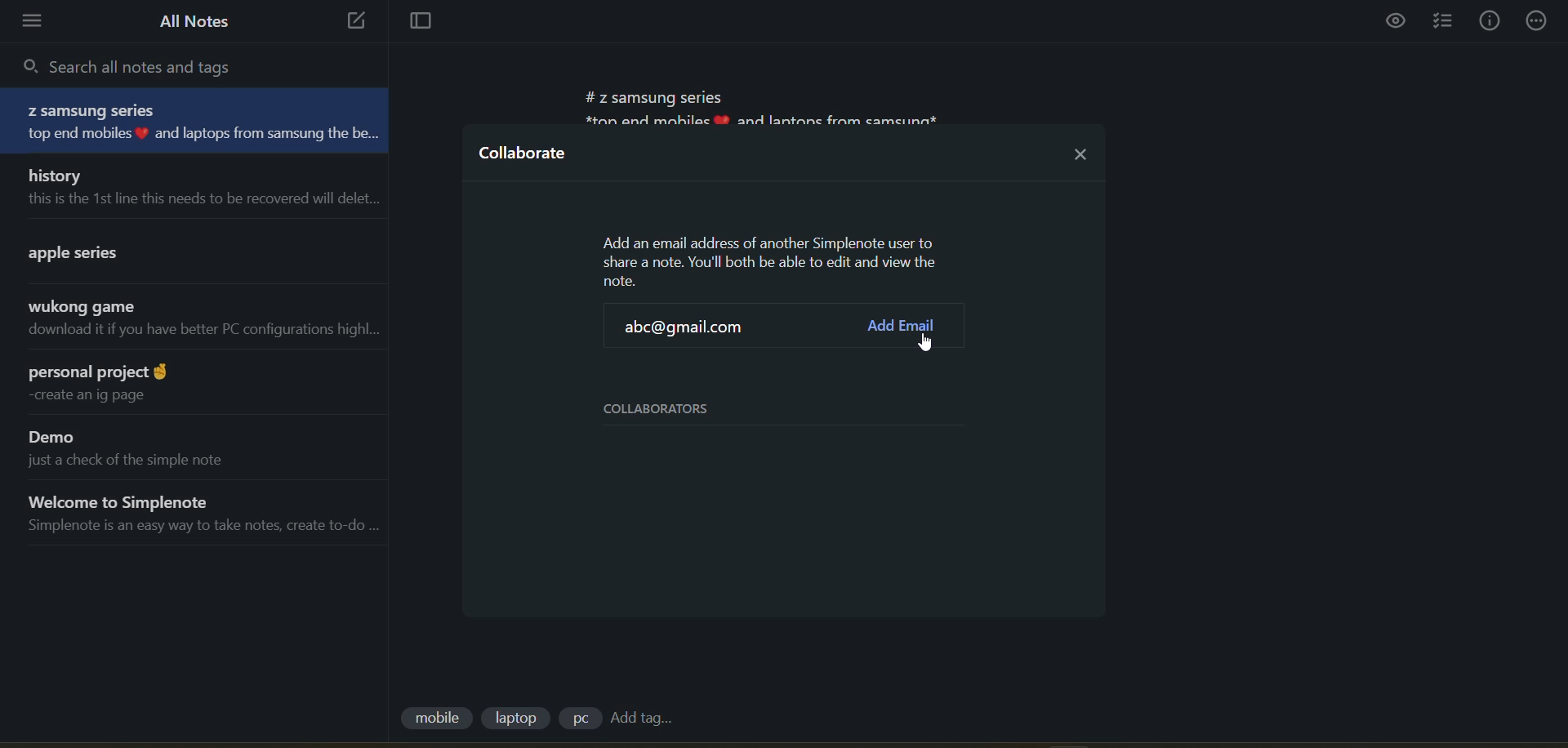 The height and width of the screenshot is (748, 1568). I want to click on metadata, so click(773, 260).